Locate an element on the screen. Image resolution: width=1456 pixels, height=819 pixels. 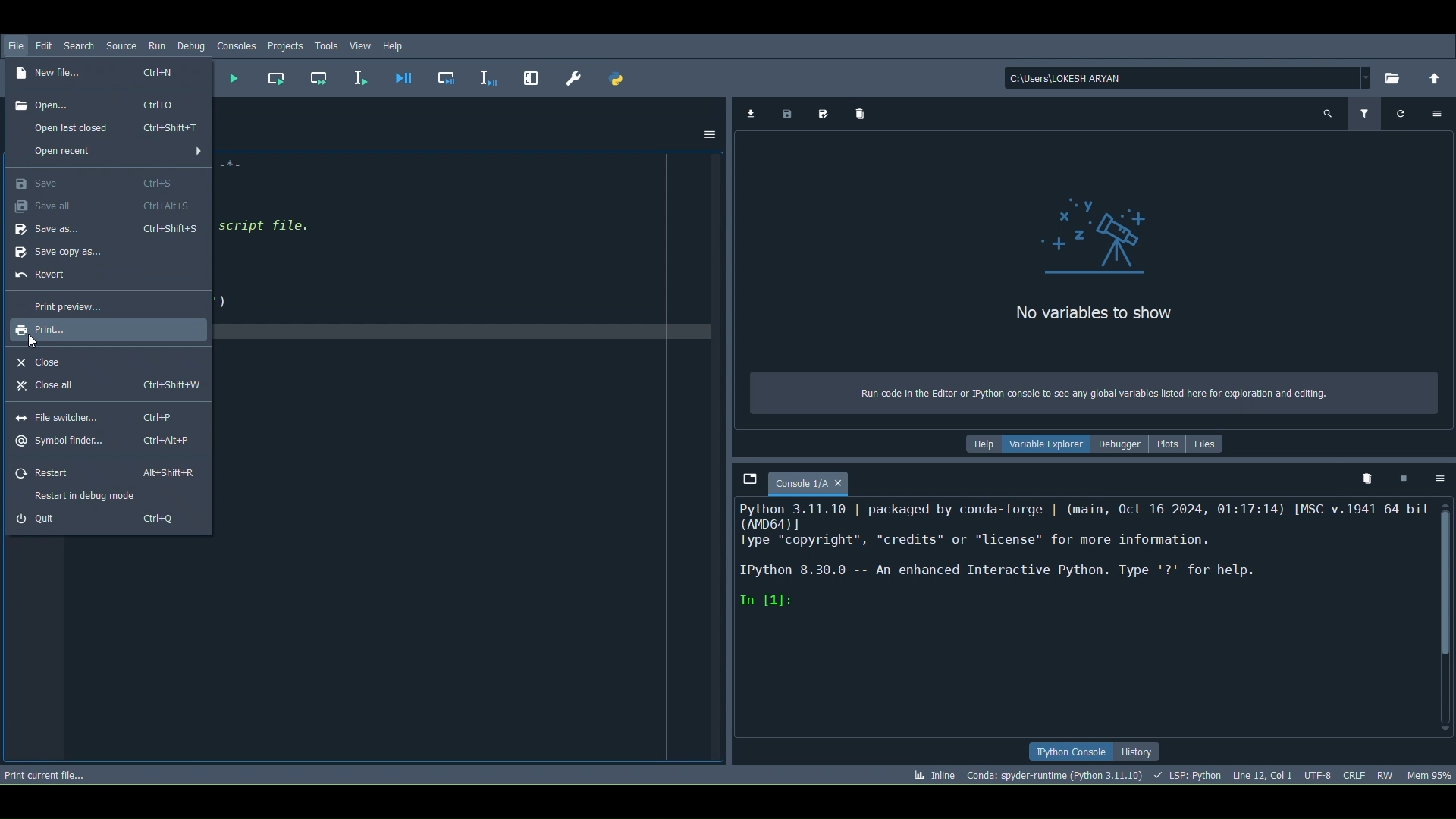
File switcher is located at coordinates (104, 415).